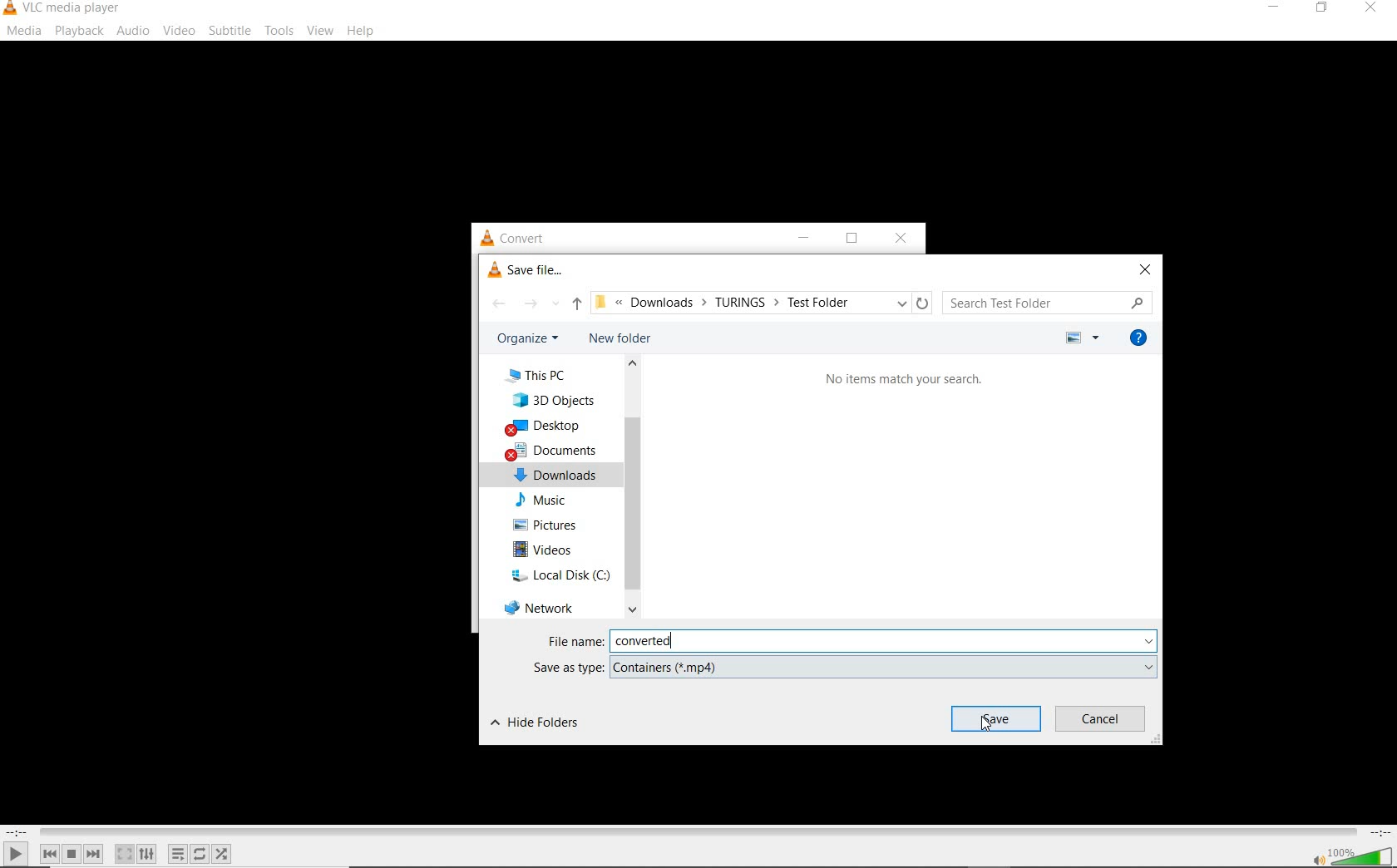 The image size is (1397, 868). What do you see at coordinates (577, 304) in the screenshot?
I see `up` at bounding box center [577, 304].